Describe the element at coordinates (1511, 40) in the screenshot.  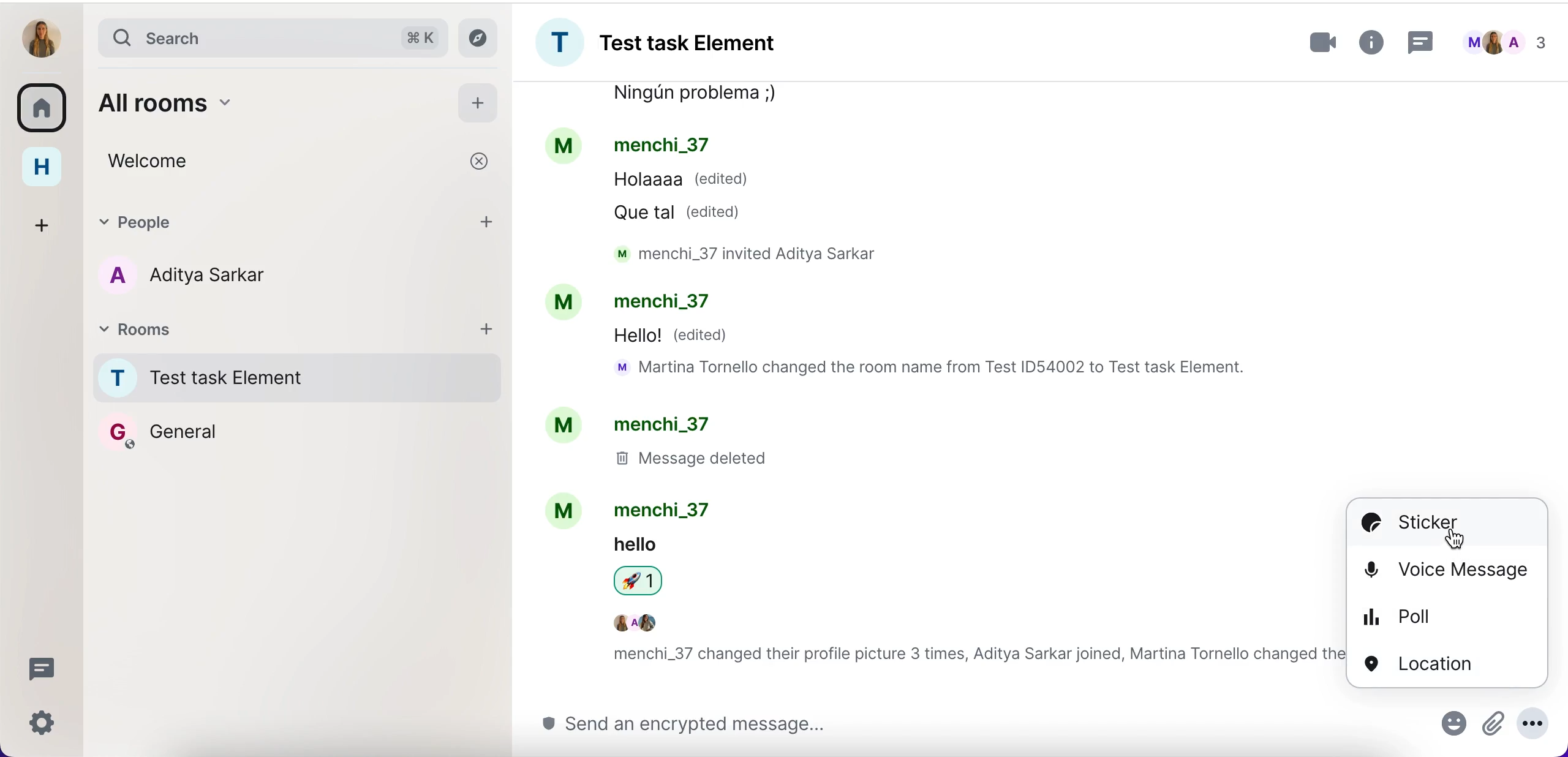
I see `chats` at that location.